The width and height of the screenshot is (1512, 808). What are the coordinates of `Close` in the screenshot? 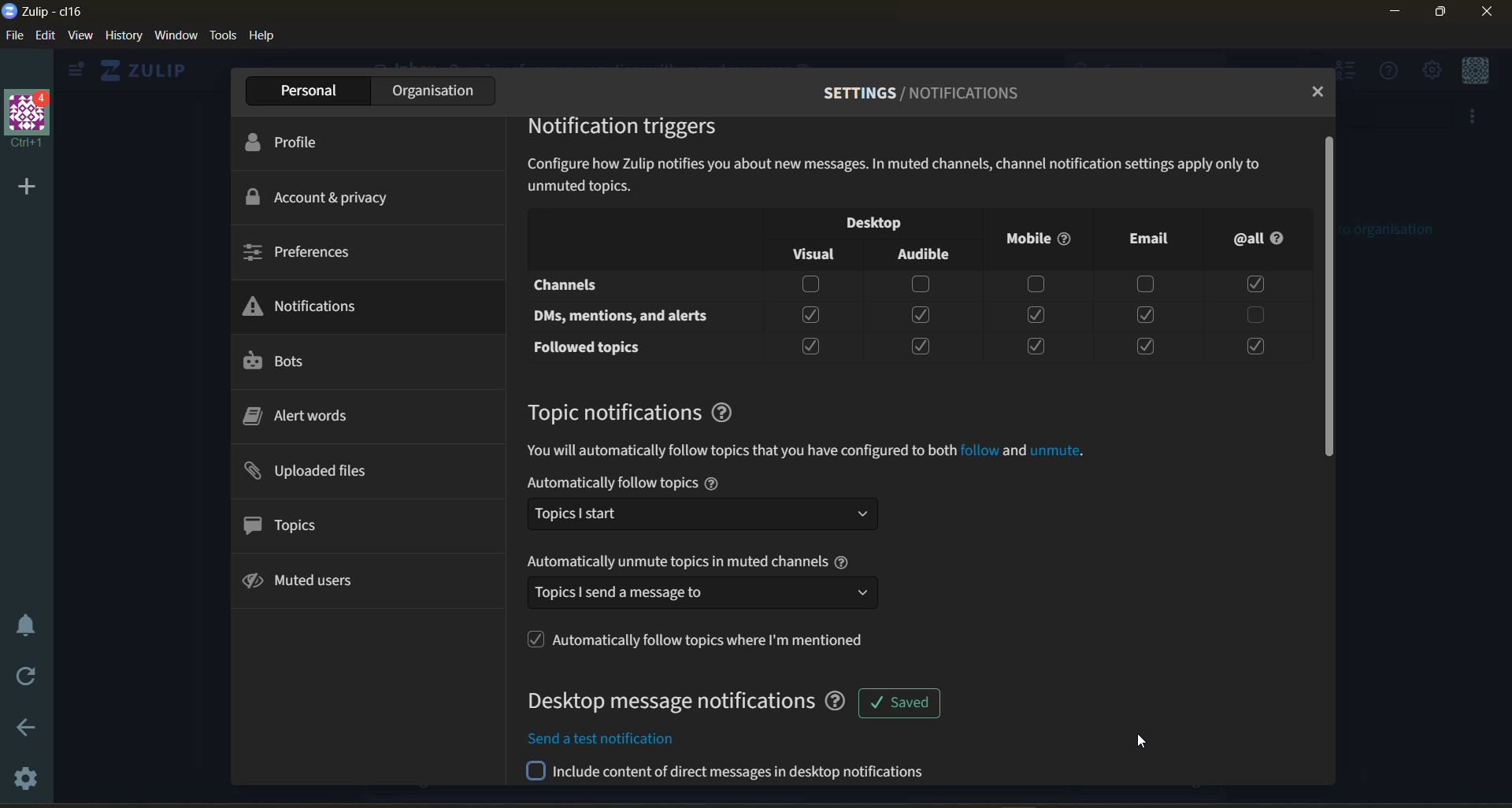 It's located at (1487, 17).